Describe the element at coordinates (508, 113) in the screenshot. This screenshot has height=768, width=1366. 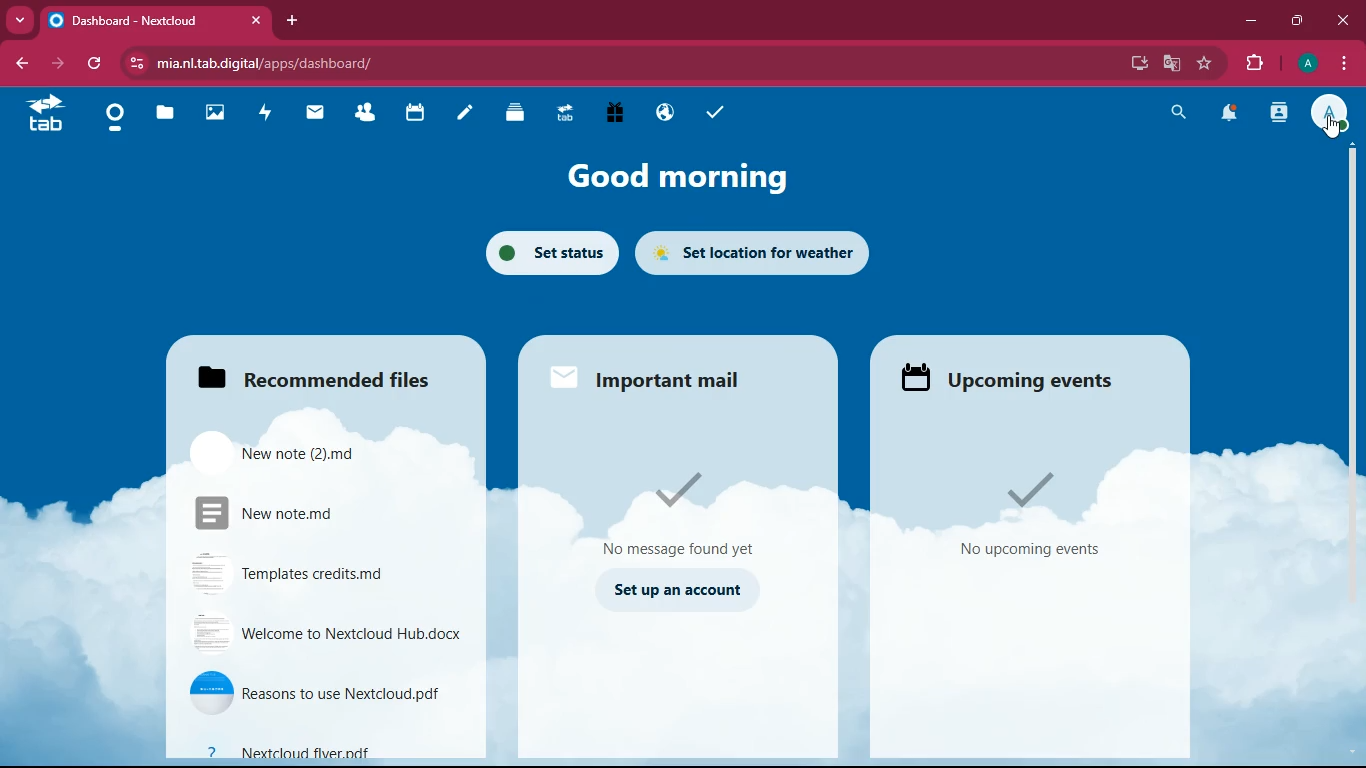
I see `layers` at that location.